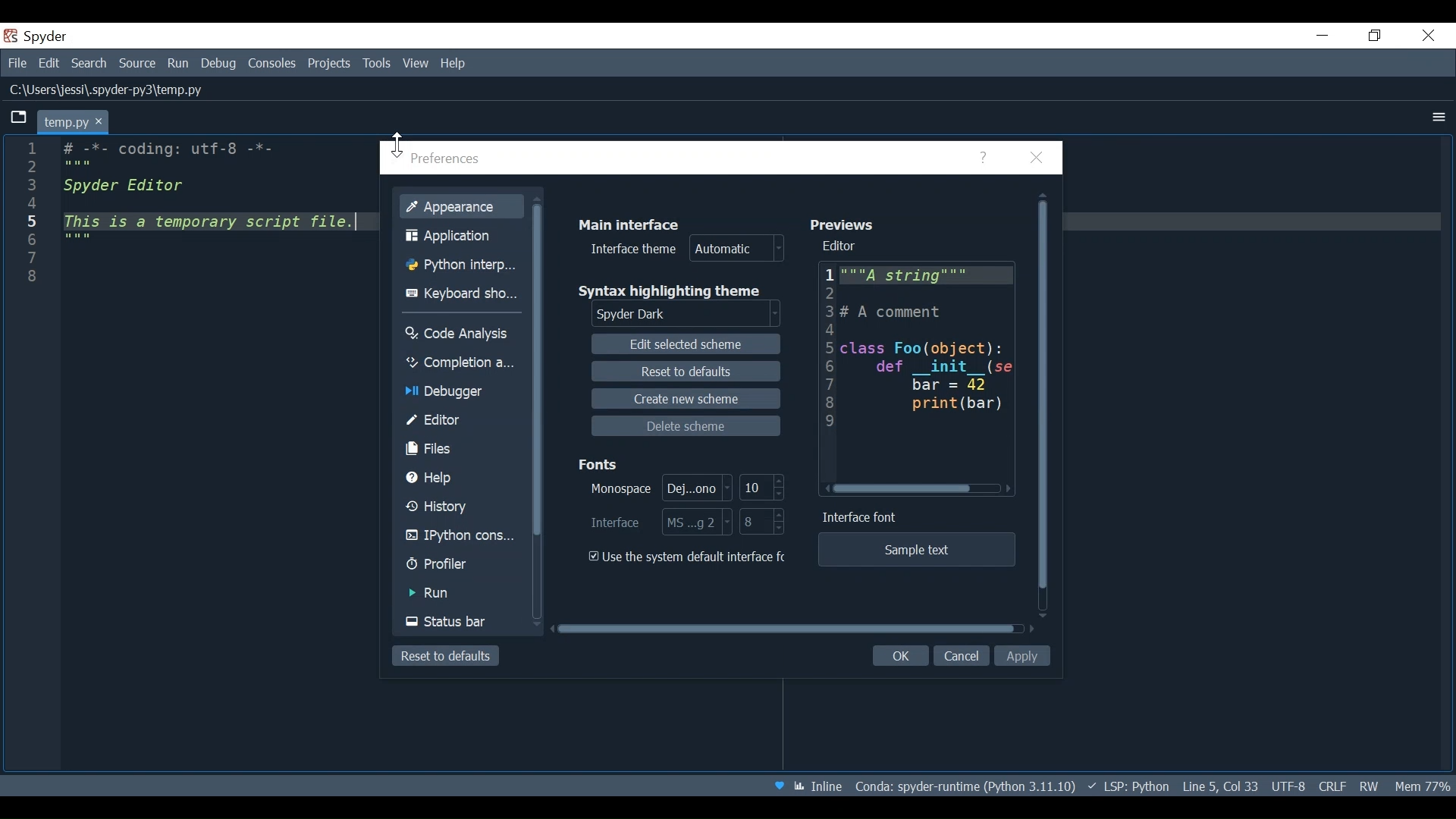 This screenshot has width=1456, height=819. I want to click on Close, so click(1037, 159).